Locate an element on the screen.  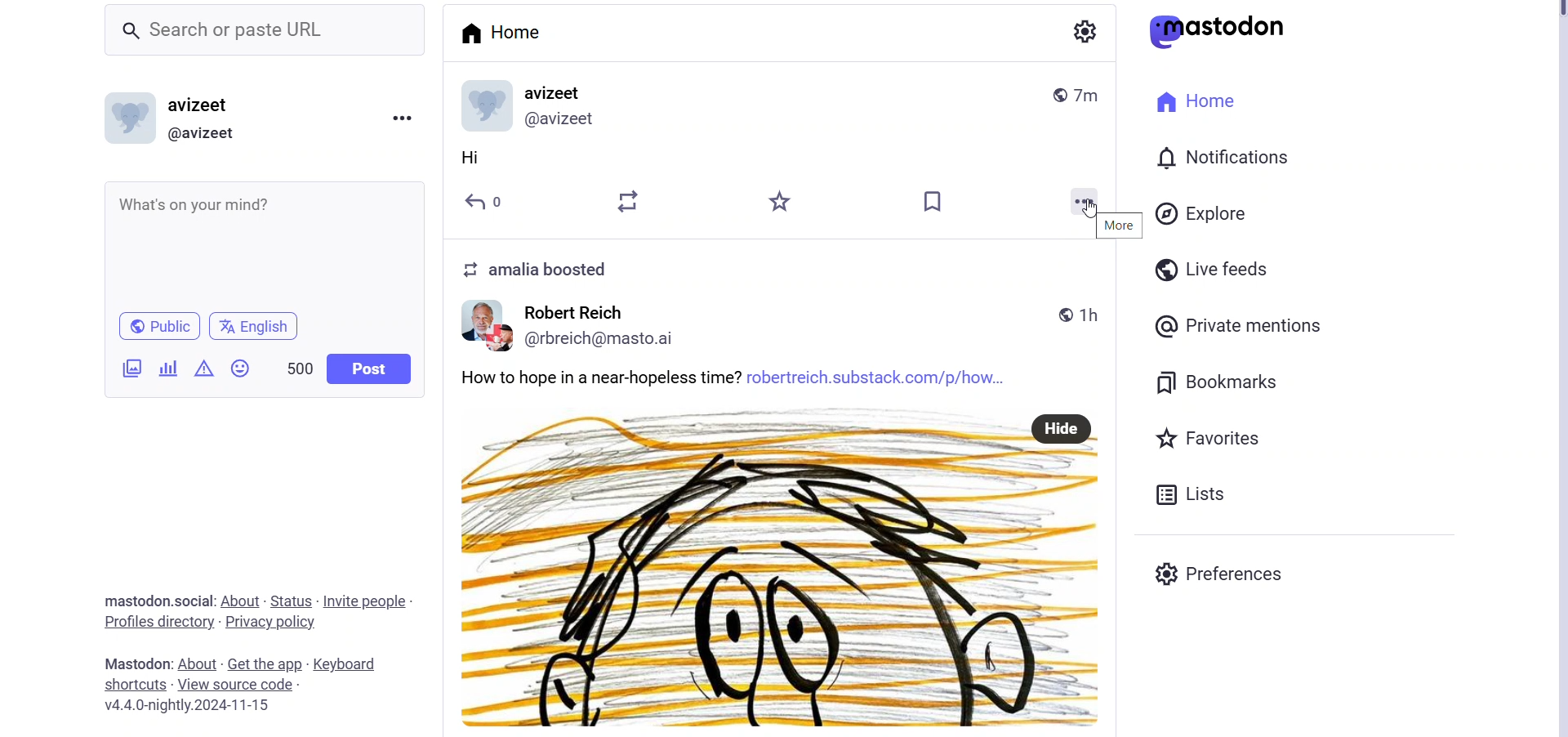
About is located at coordinates (196, 663).